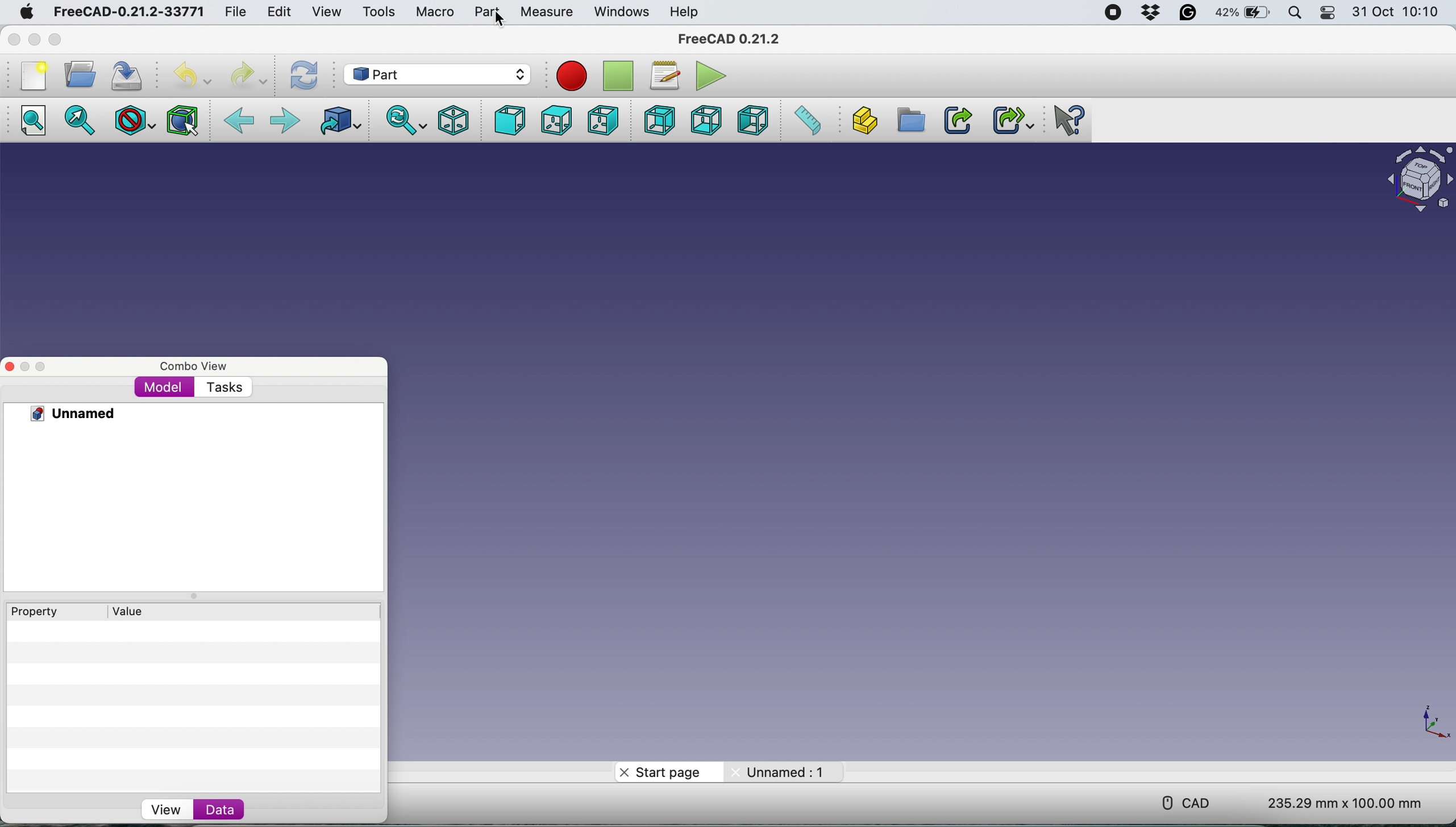 The width and height of the screenshot is (1456, 827). What do you see at coordinates (601, 119) in the screenshot?
I see `Right` at bounding box center [601, 119].